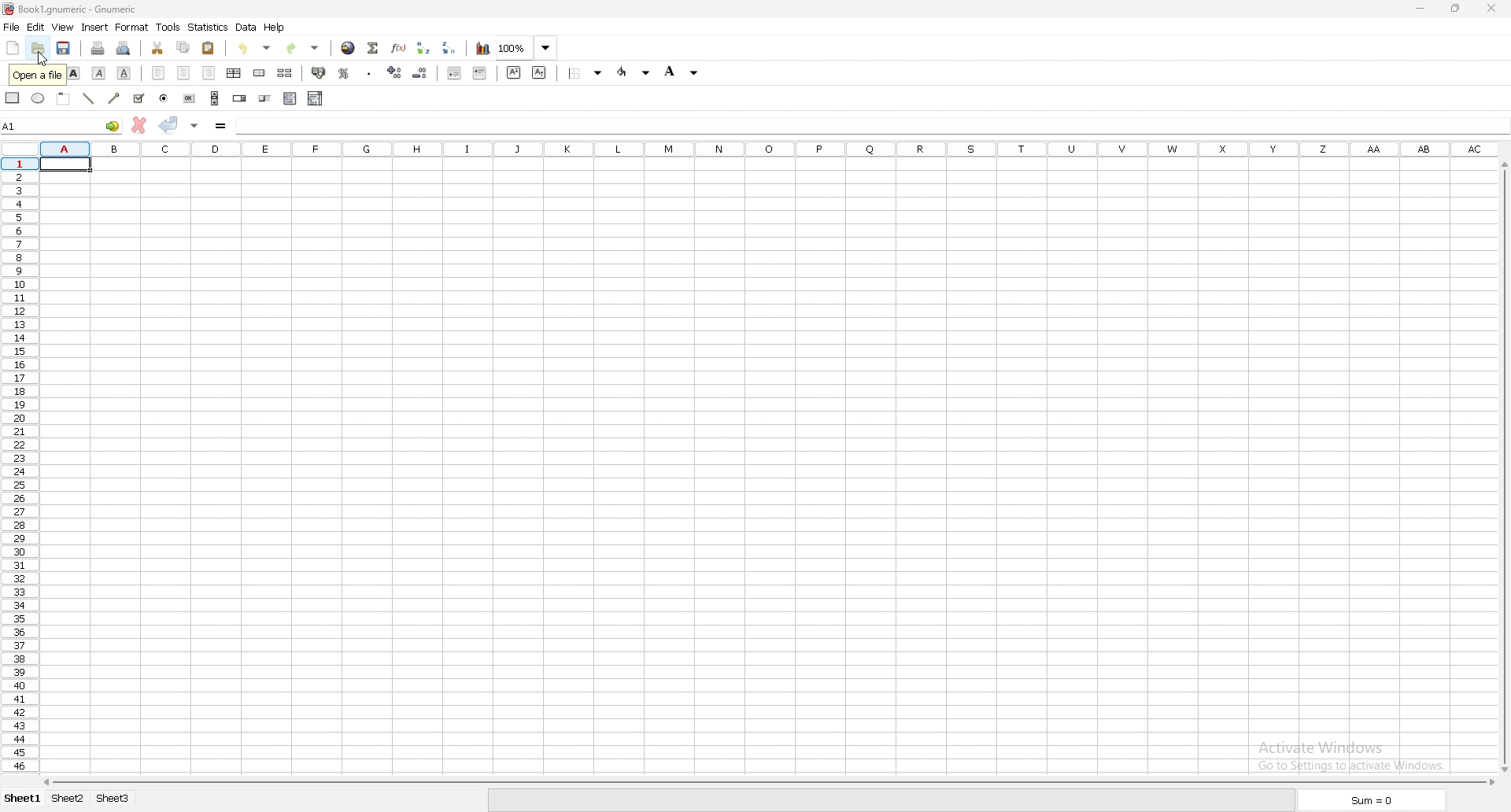  What do you see at coordinates (168, 28) in the screenshot?
I see `tools` at bounding box center [168, 28].